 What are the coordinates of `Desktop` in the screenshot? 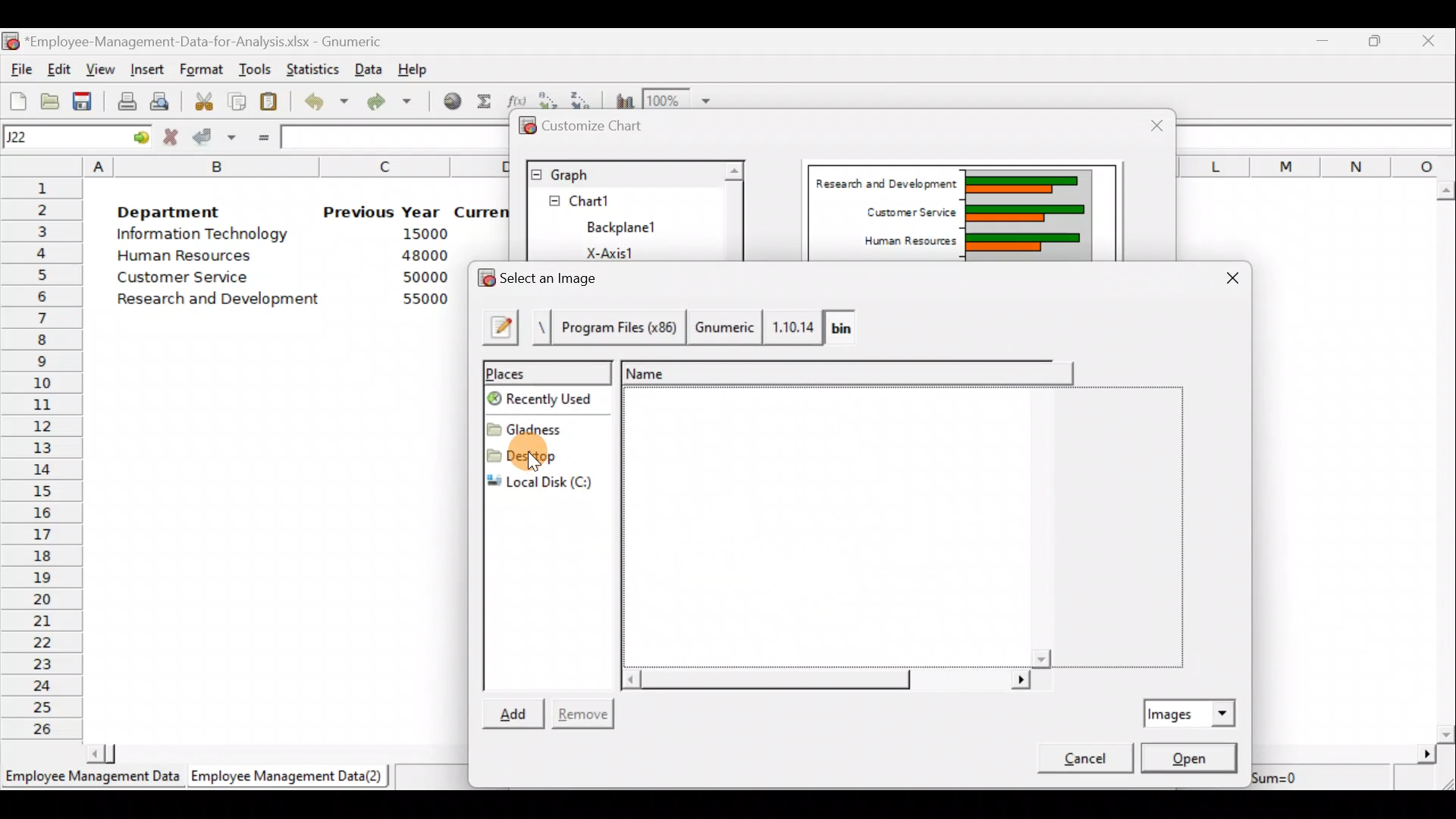 It's located at (547, 454).